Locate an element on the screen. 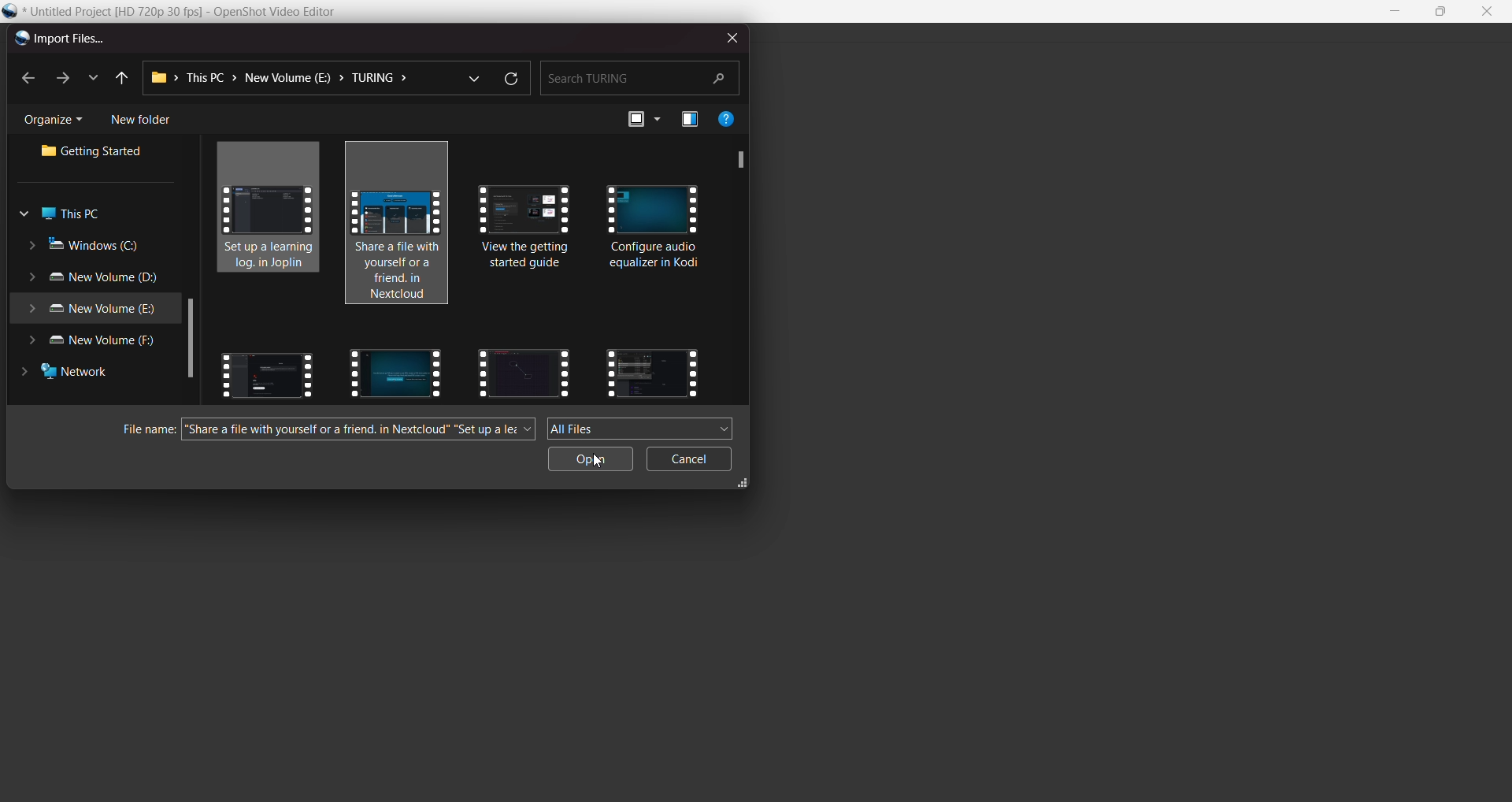  new folder is located at coordinates (141, 120).